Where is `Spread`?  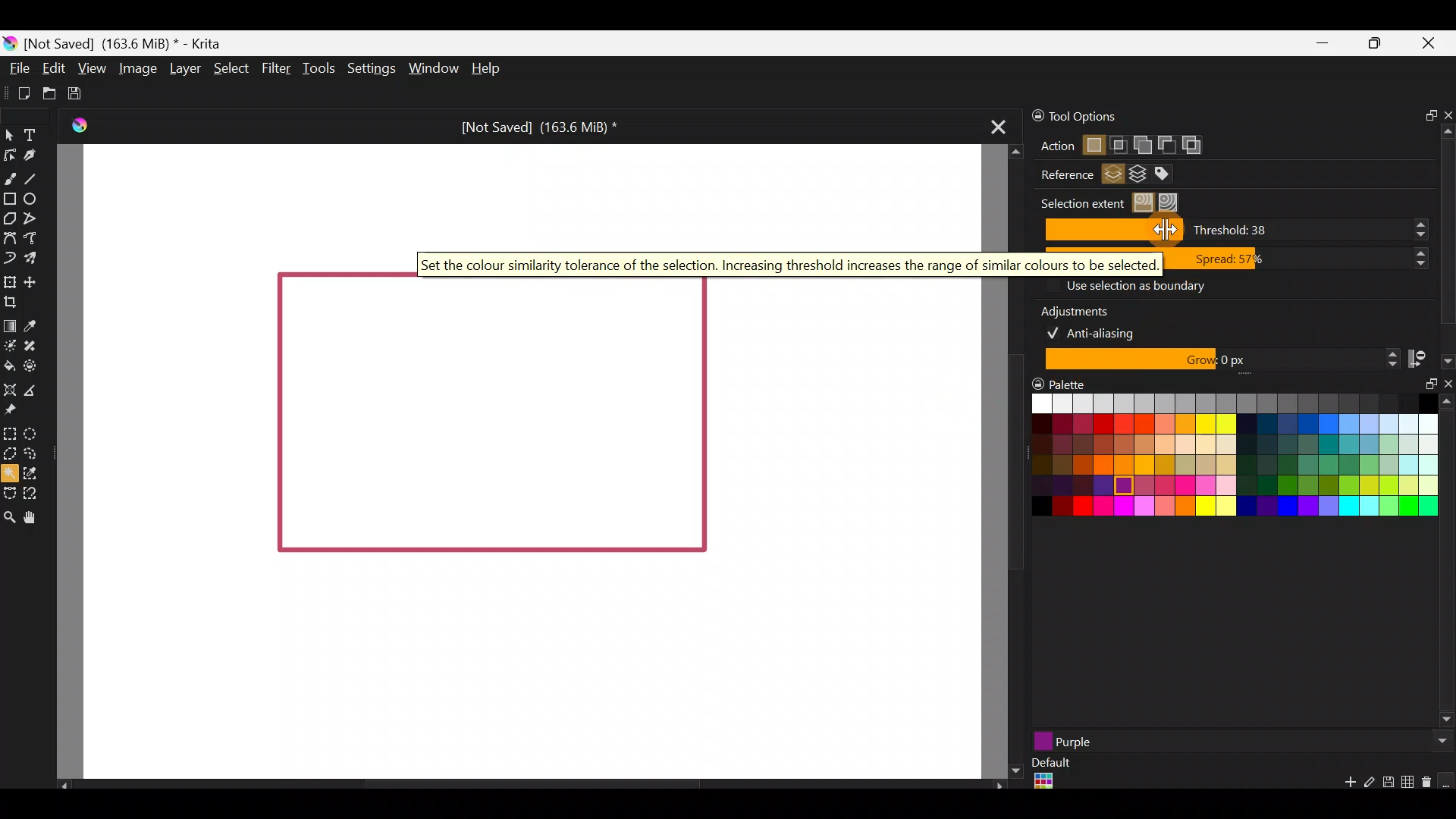 Spread is located at coordinates (1298, 258).